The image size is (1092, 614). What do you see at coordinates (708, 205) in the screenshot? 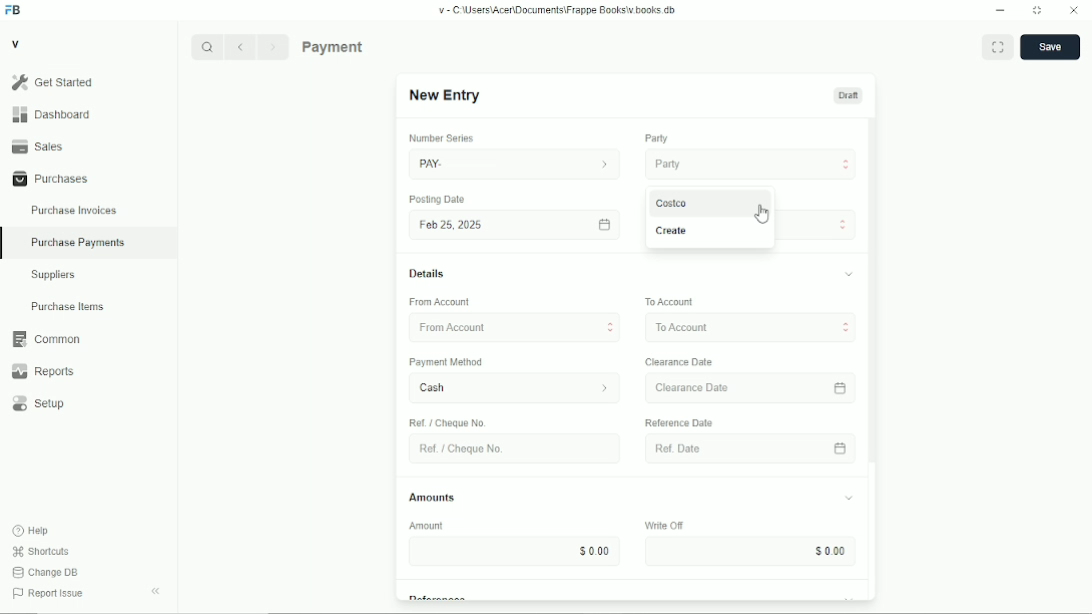
I see `Costco` at bounding box center [708, 205].